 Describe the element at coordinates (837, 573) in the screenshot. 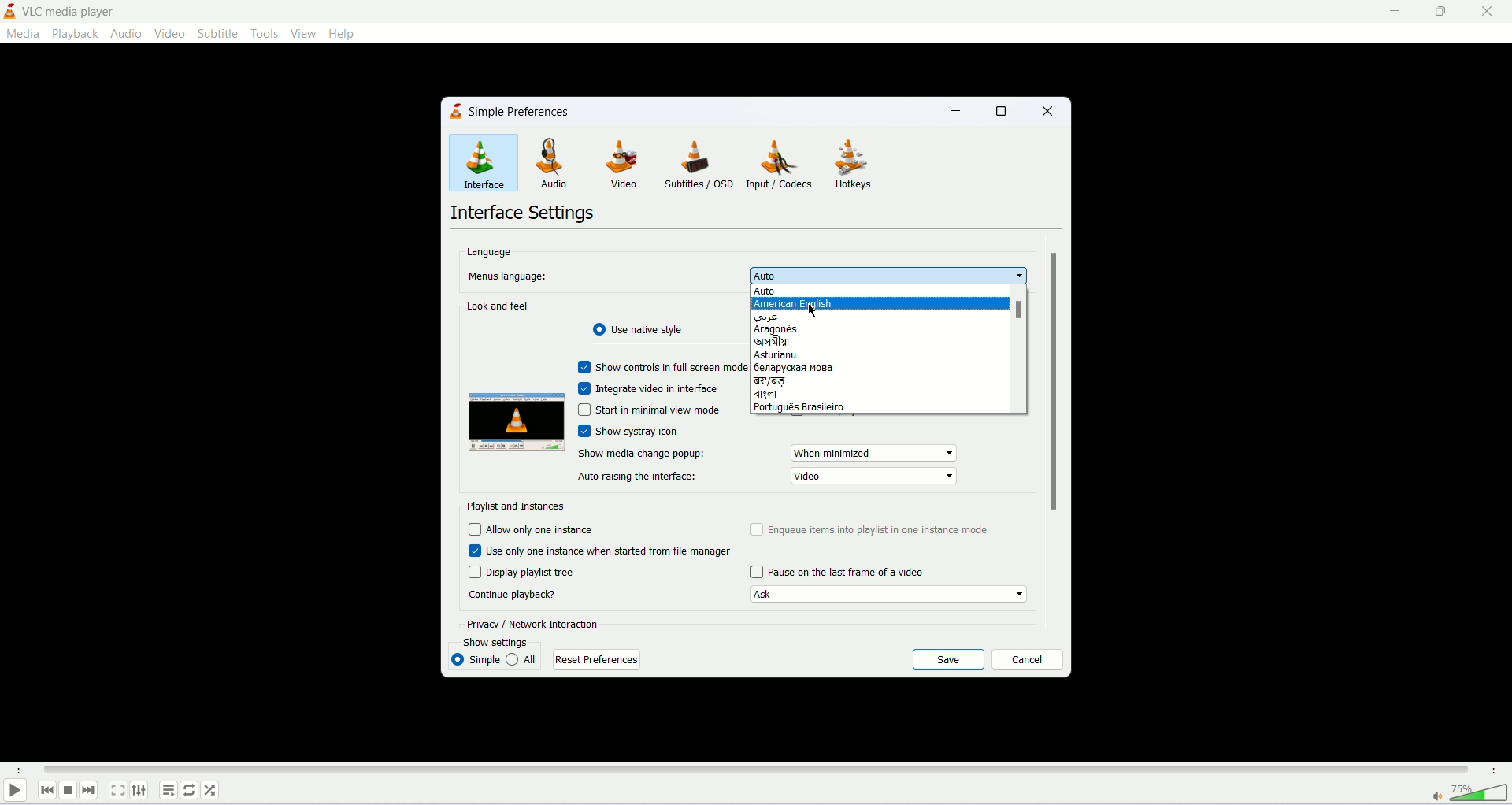

I see `pause on last frame of video` at that location.